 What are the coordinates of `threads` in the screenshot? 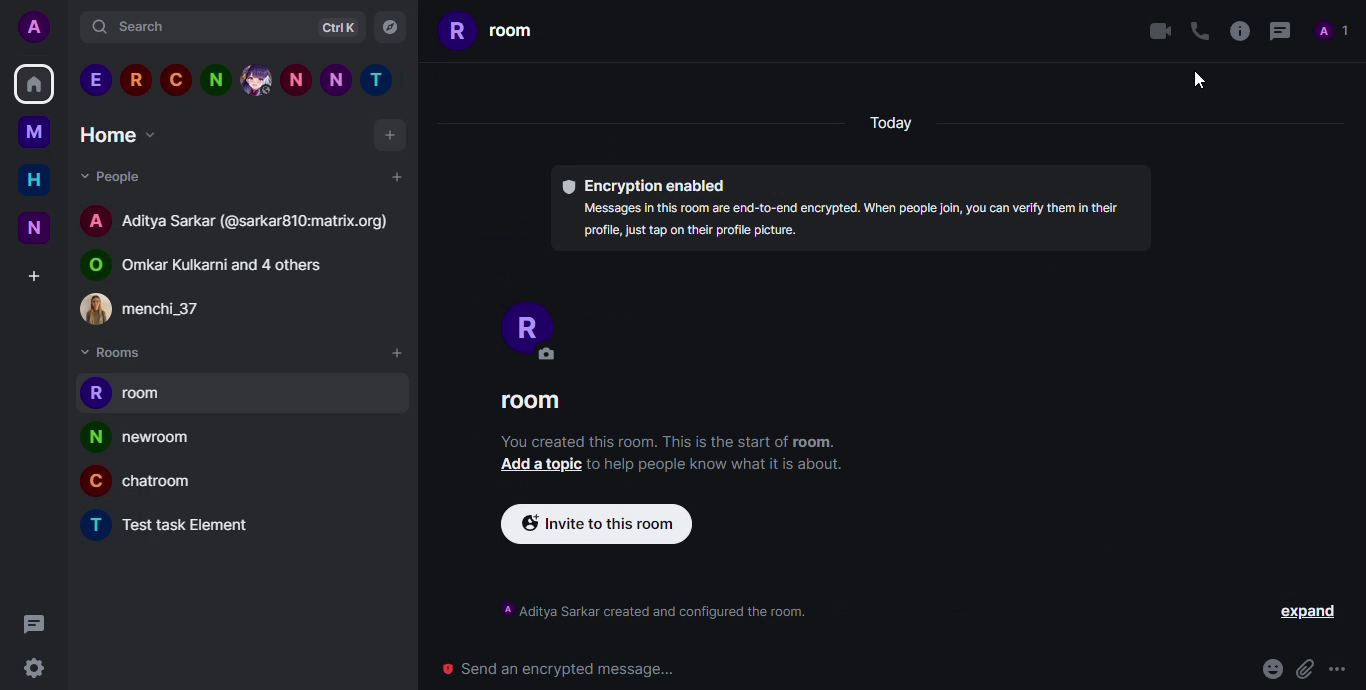 It's located at (1277, 30).